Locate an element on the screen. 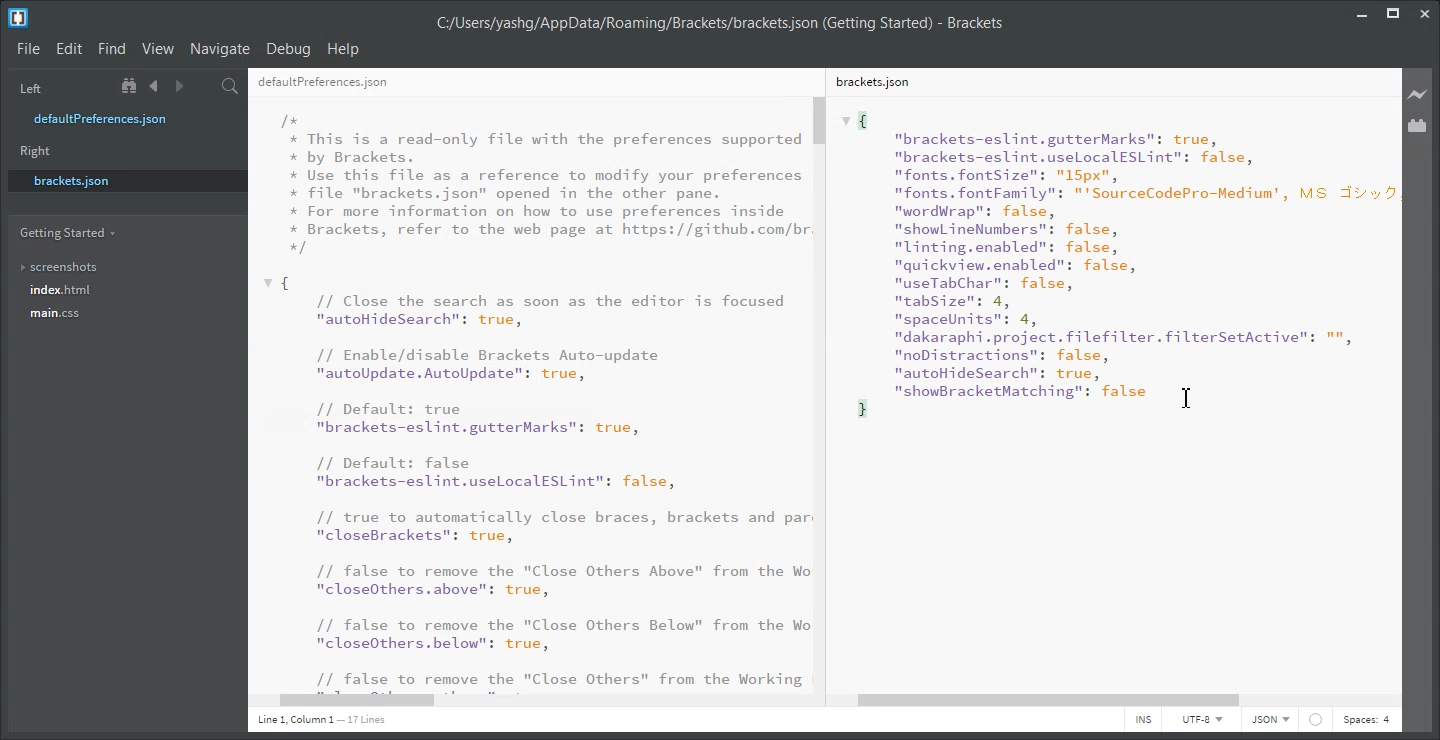 Image resolution: width=1440 pixels, height=740 pixels. Line 1, Column 1 - 17 Lines is located at coordinates (324, 721).